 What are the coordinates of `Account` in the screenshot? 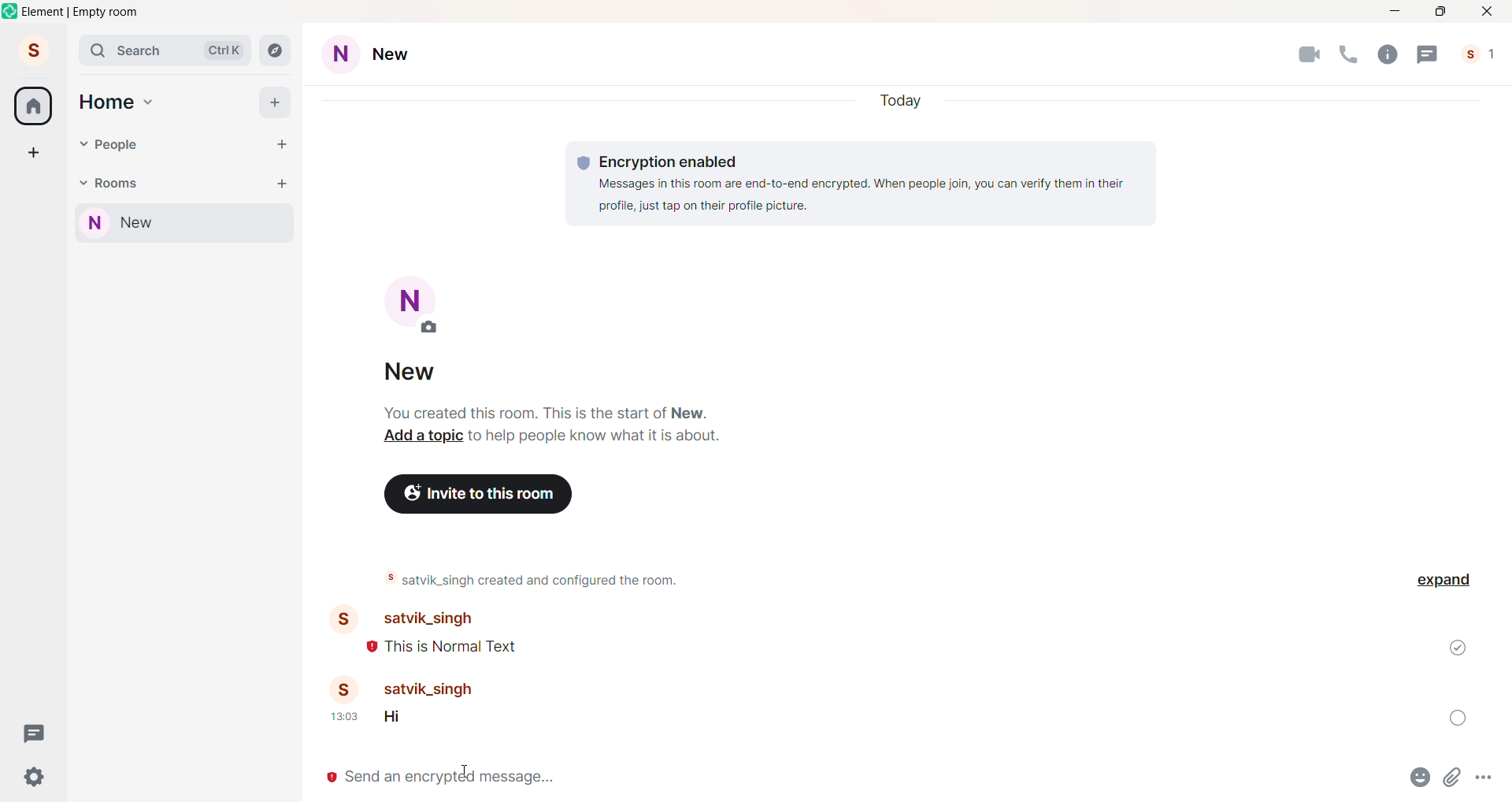 It's located at (32, 49).